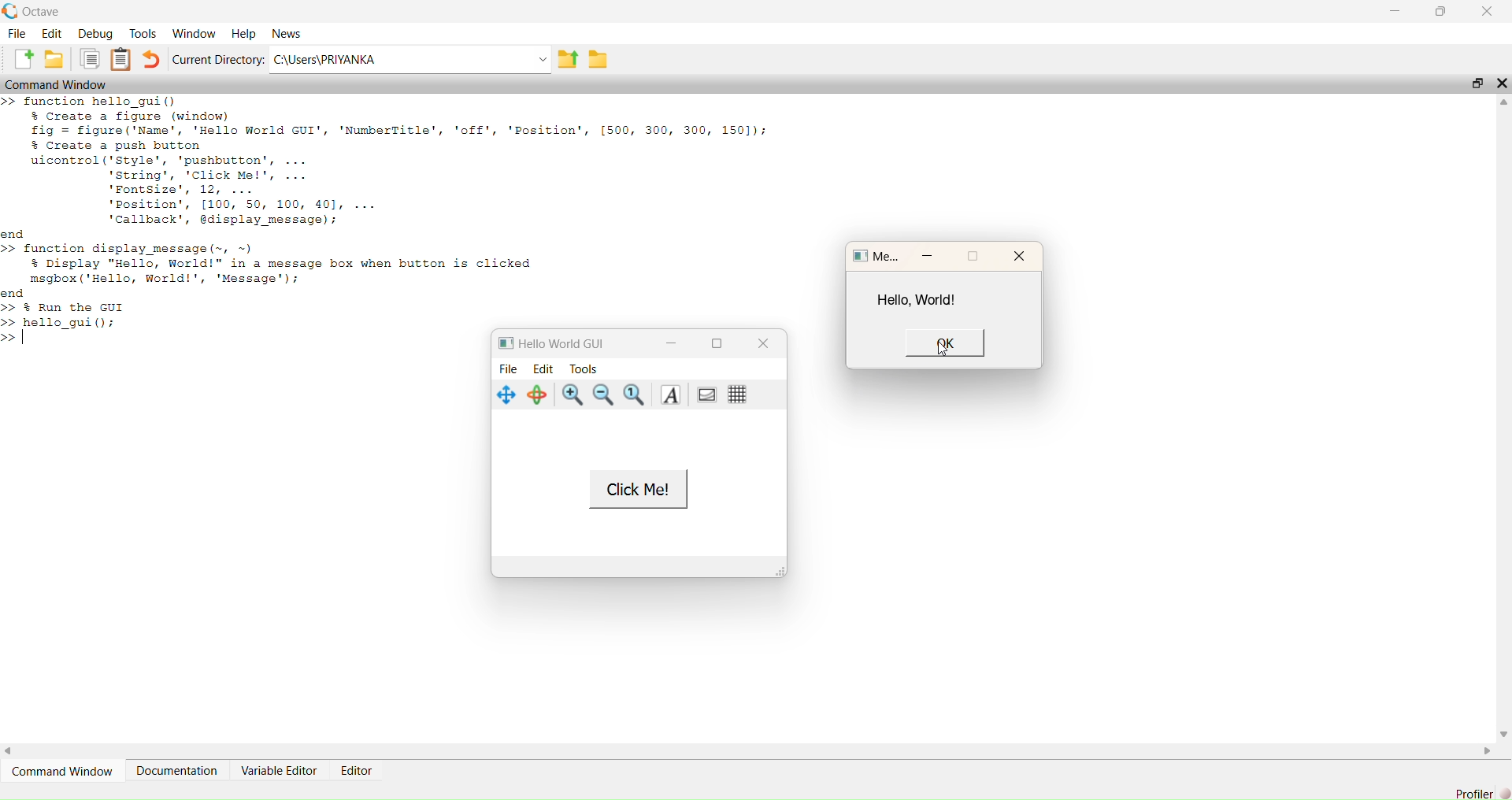 The height and width of the screenshot is (800, 1512). I want to click on Command Window, so click(66, 772).